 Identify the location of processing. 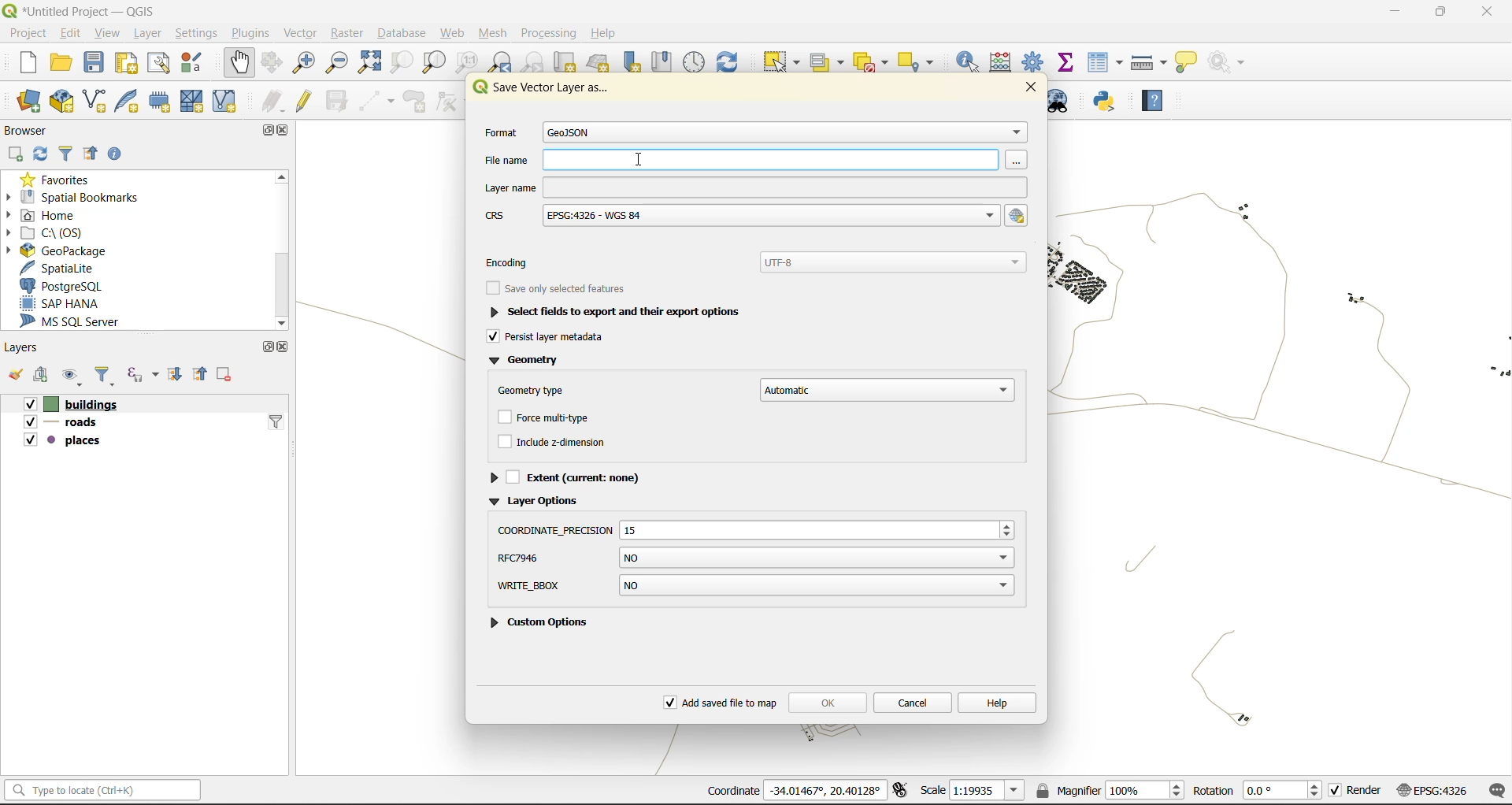
(547, 32).